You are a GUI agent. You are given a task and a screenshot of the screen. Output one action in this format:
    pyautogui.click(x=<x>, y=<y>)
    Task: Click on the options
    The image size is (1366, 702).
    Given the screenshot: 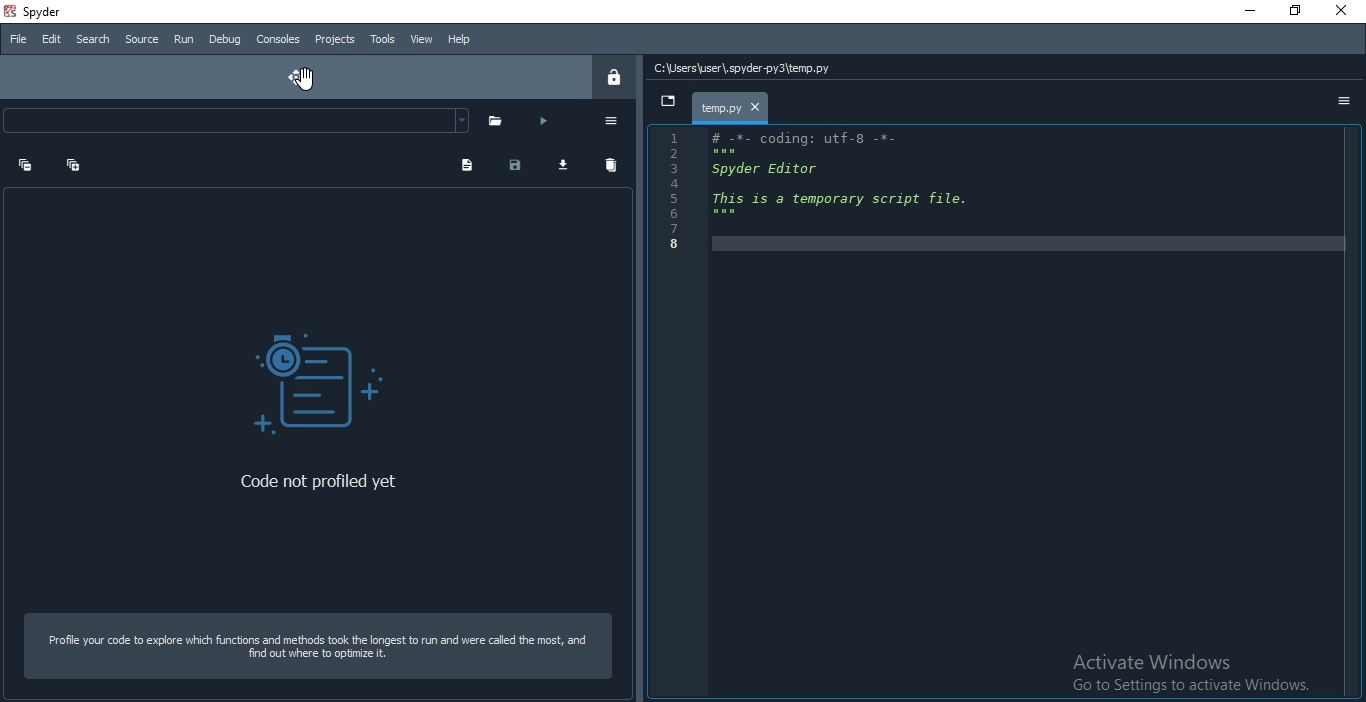 What is the action you would take?
    pyautogui.click(x=1344, y=105)
    